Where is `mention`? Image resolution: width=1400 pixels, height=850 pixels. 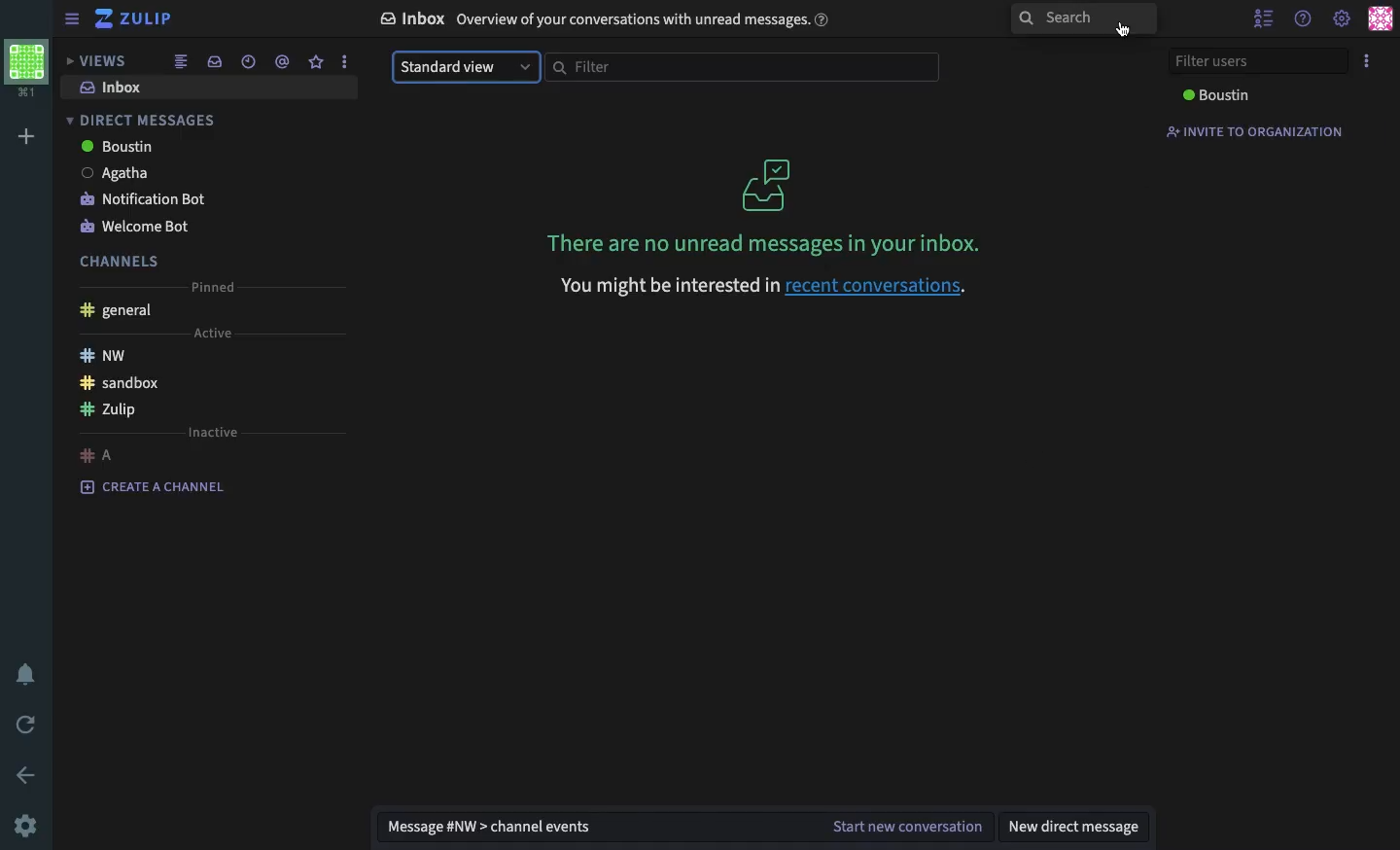 mention is located at coordinates (281, 62).